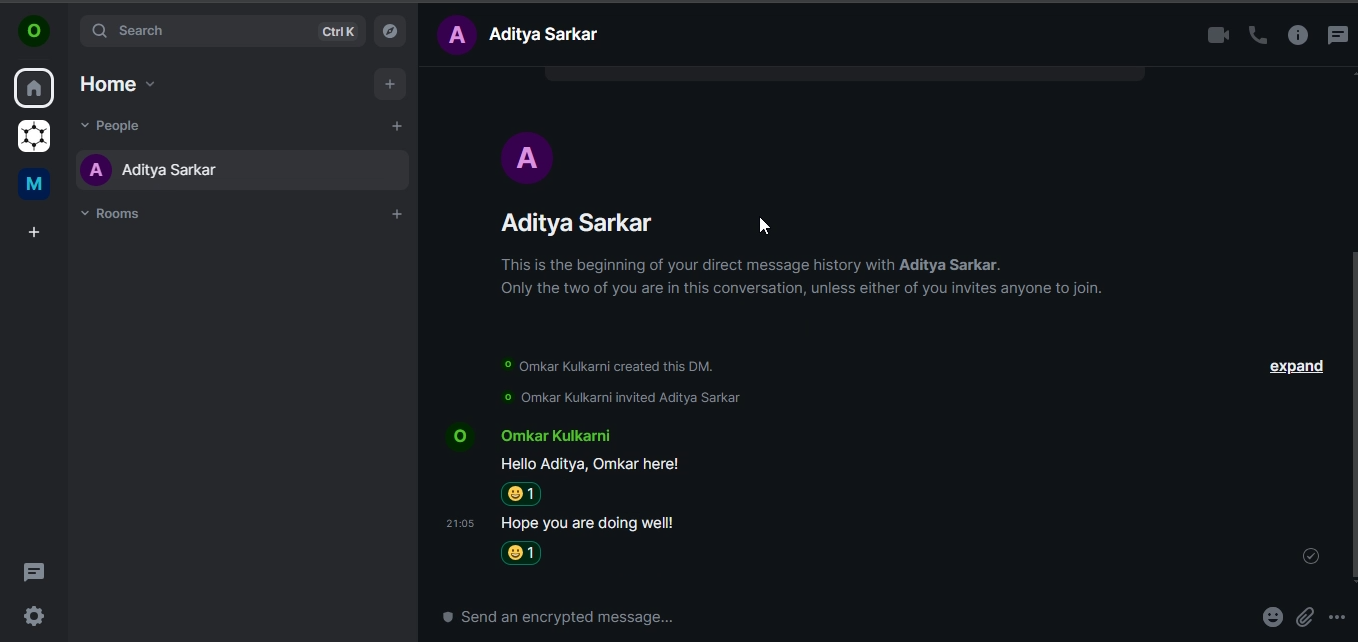  I want to click on expand, so click(1296, 366).